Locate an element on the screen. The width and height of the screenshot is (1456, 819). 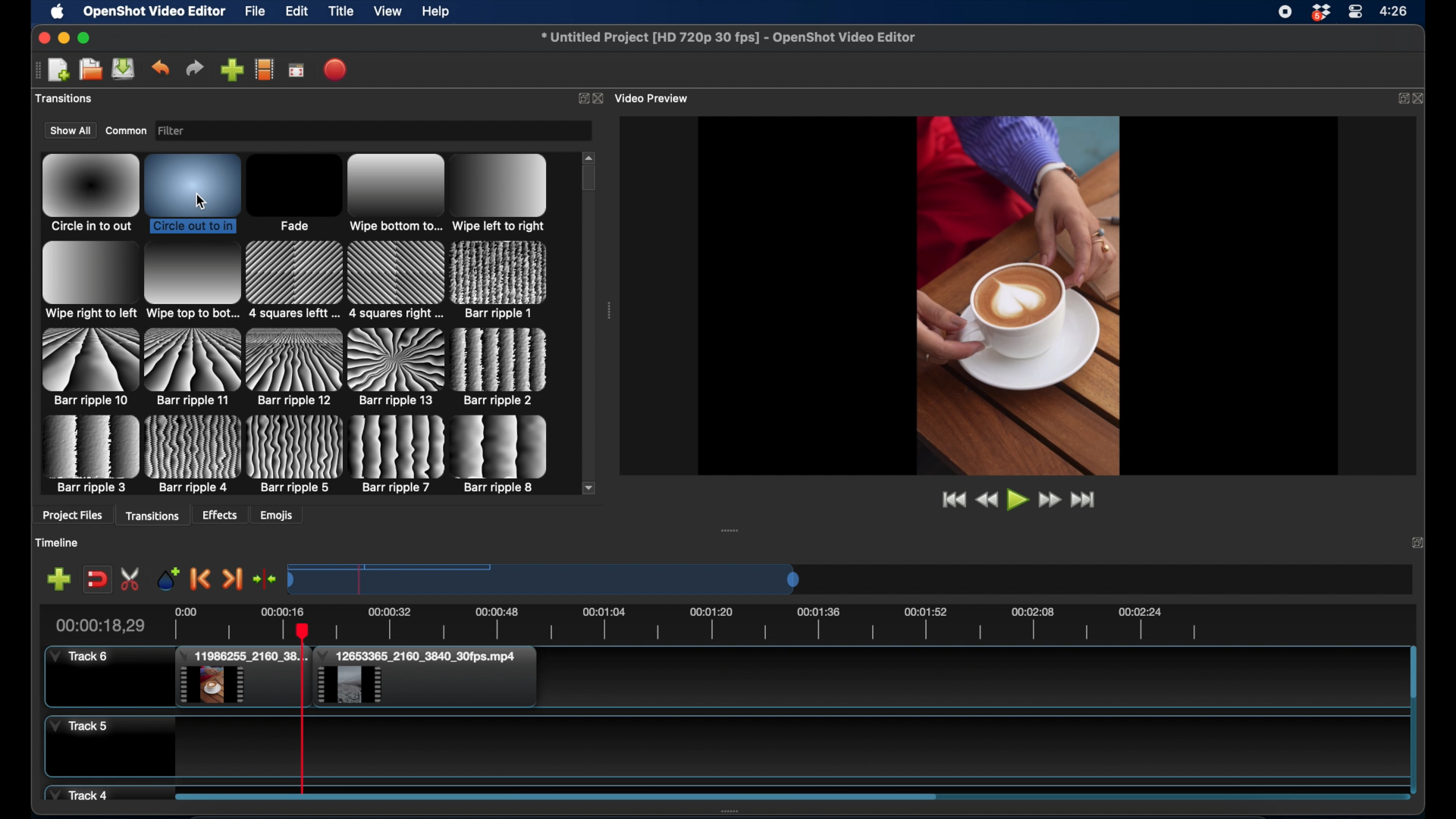
add marker is located at coordinates (168, 578).